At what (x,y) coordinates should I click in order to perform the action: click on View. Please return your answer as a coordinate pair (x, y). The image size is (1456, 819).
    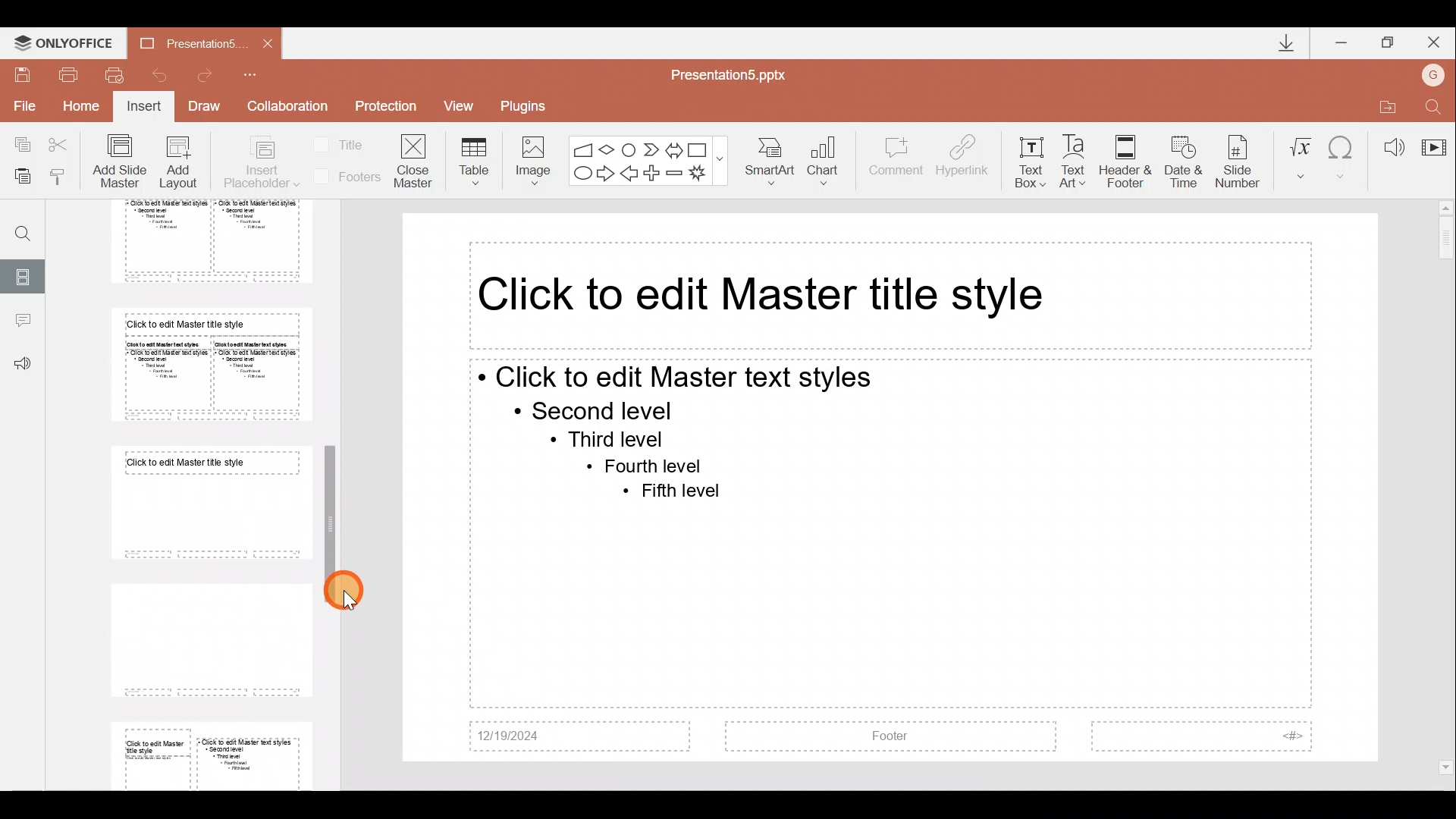
    Looking at the image, I should click on (464, 105).